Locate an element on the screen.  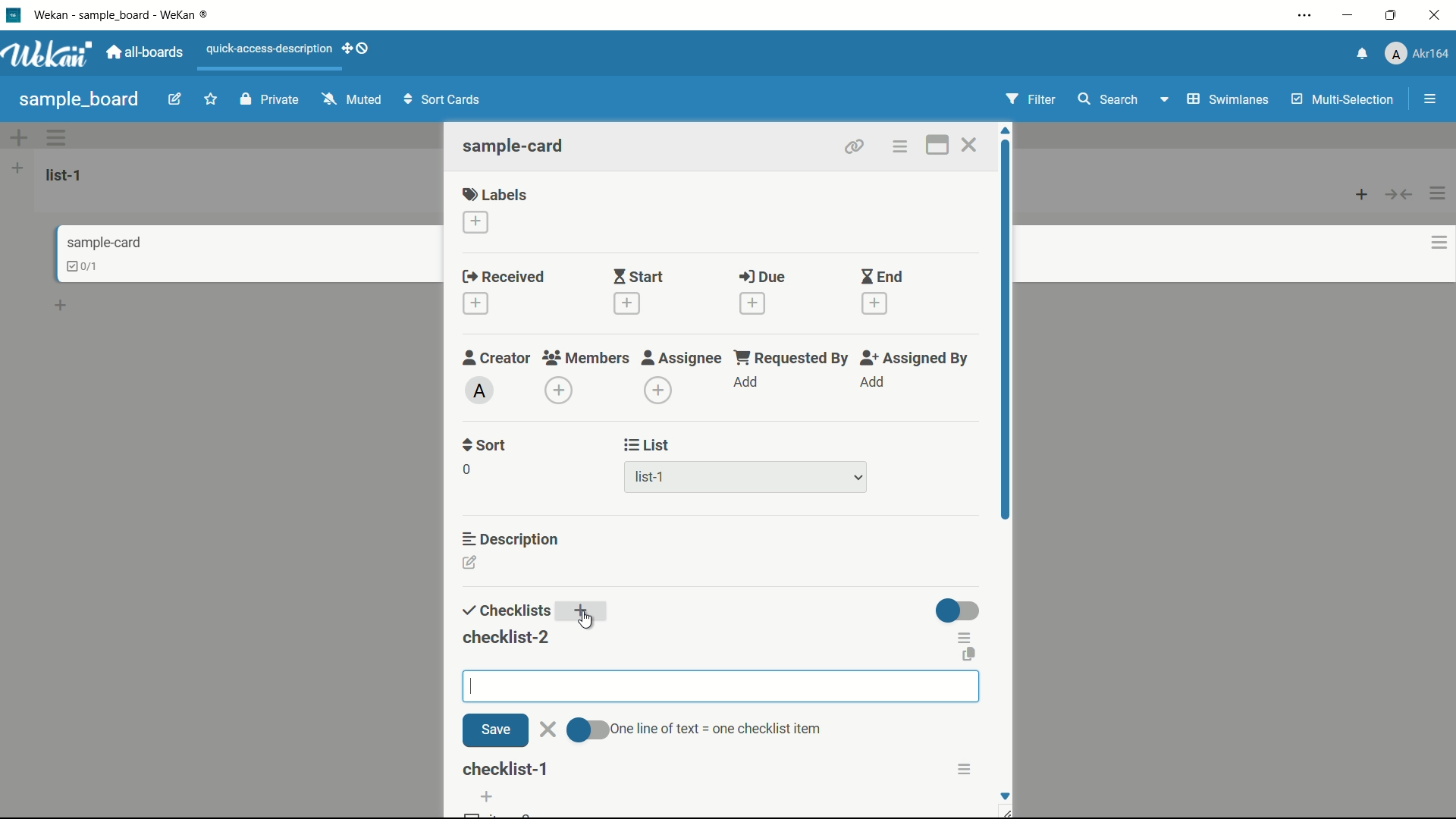
filter is located at coordinates (1031, 100).